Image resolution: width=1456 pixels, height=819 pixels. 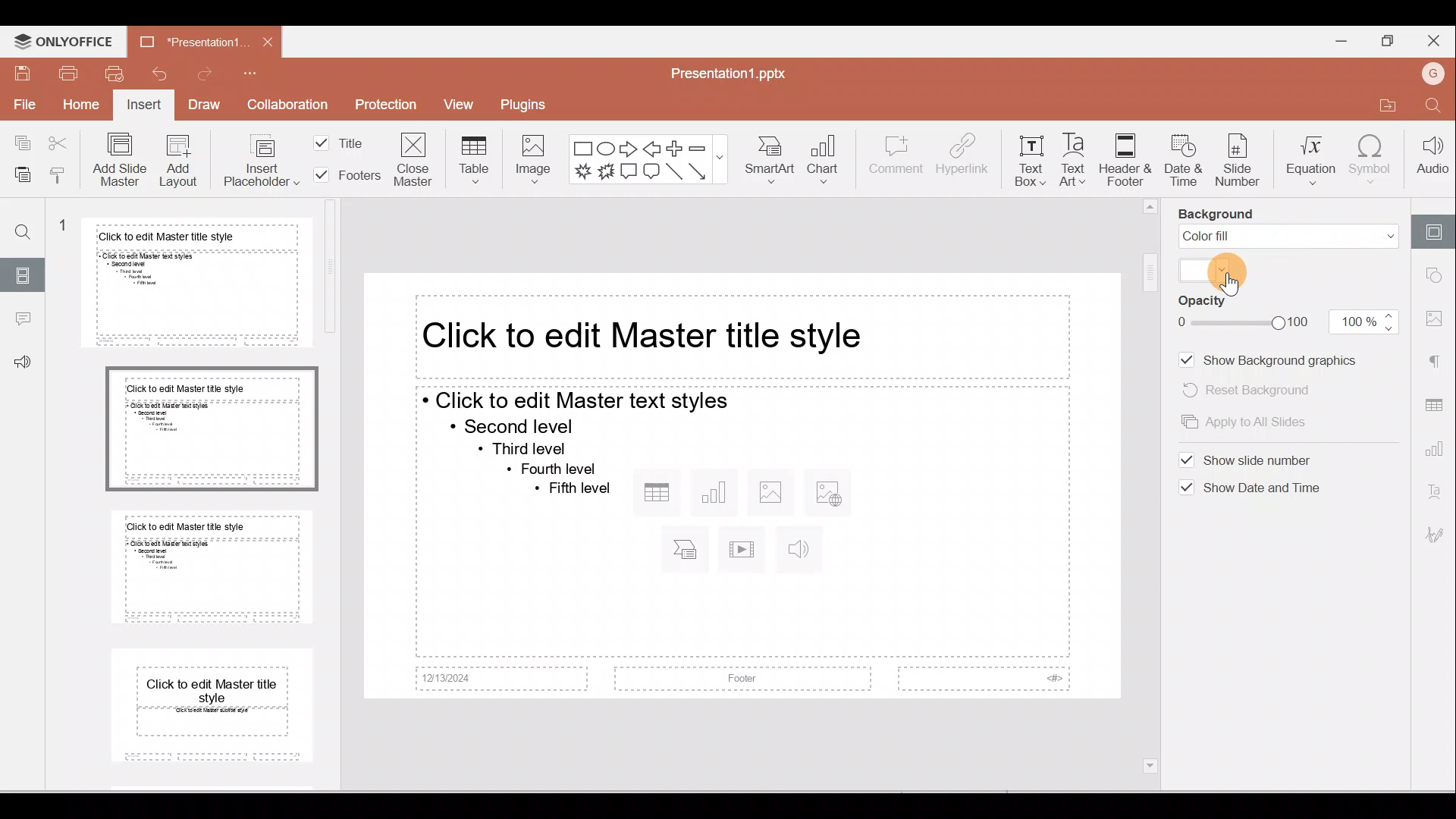 I want to click on Left arrow, so click(x=654, y=147).